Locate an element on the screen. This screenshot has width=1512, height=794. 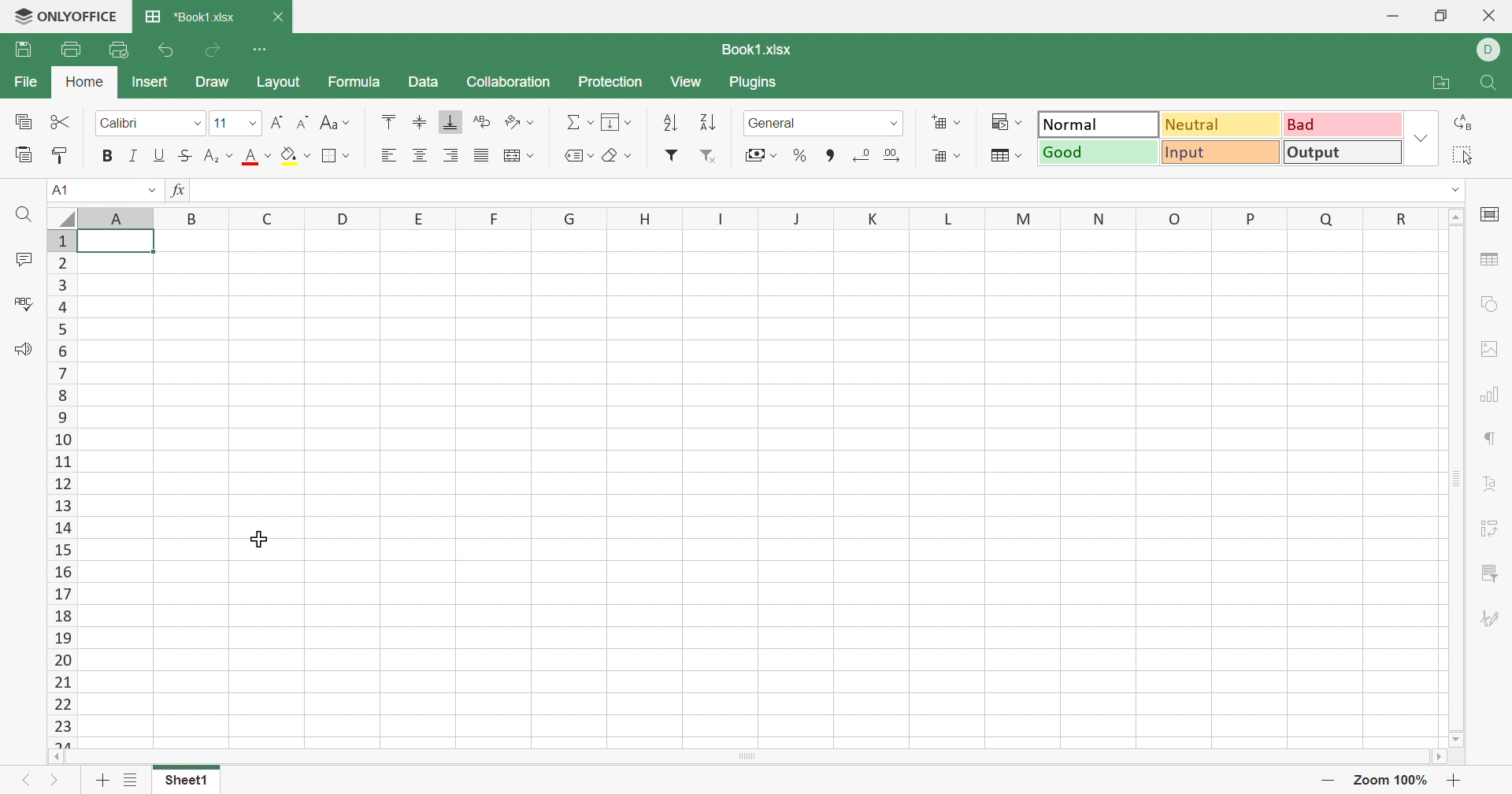
Sheet2 is located at coordinates (254, 779).